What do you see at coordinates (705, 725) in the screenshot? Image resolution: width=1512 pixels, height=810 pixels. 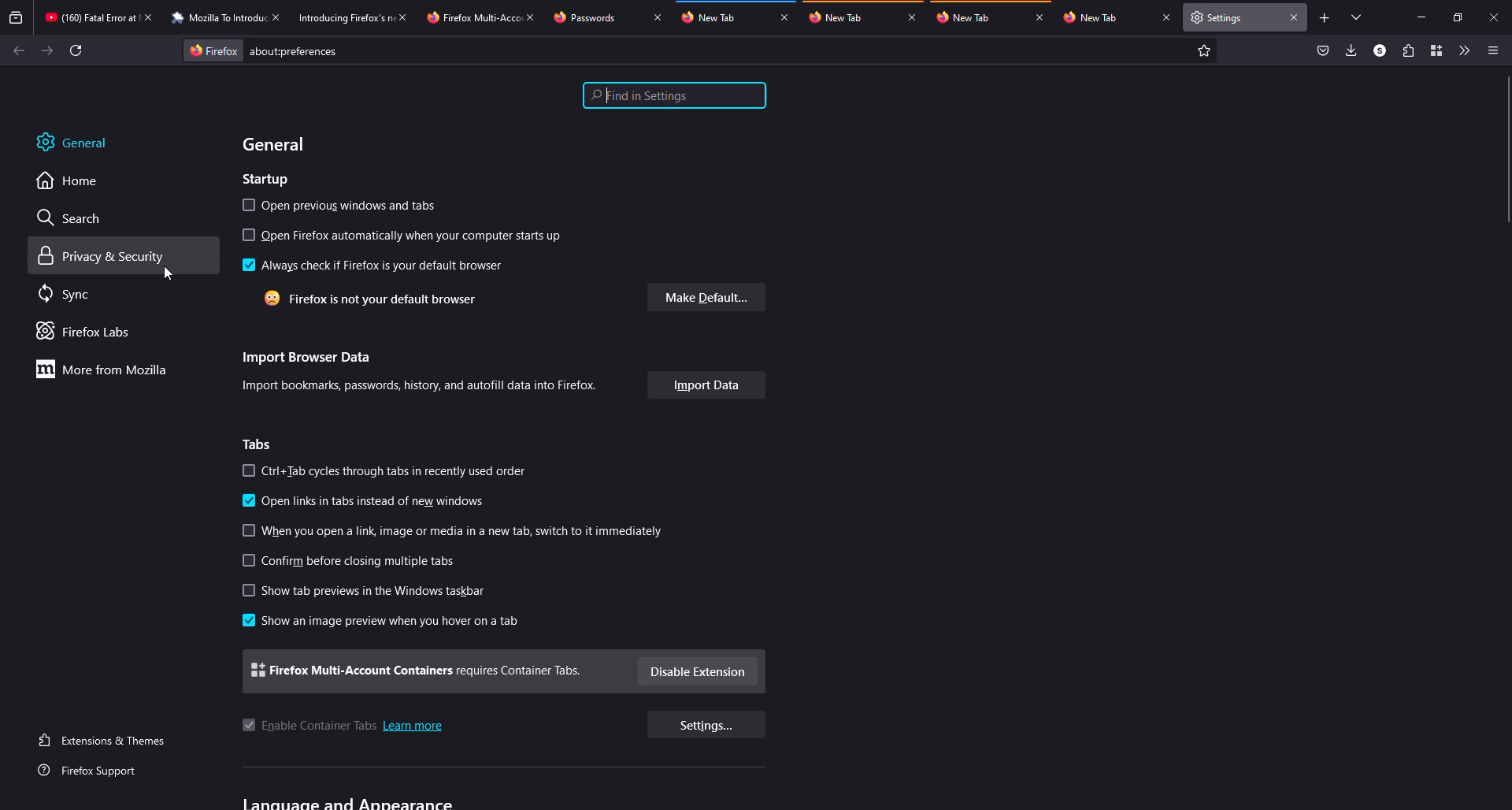 I see `settings` at bounding box center [705, 725].